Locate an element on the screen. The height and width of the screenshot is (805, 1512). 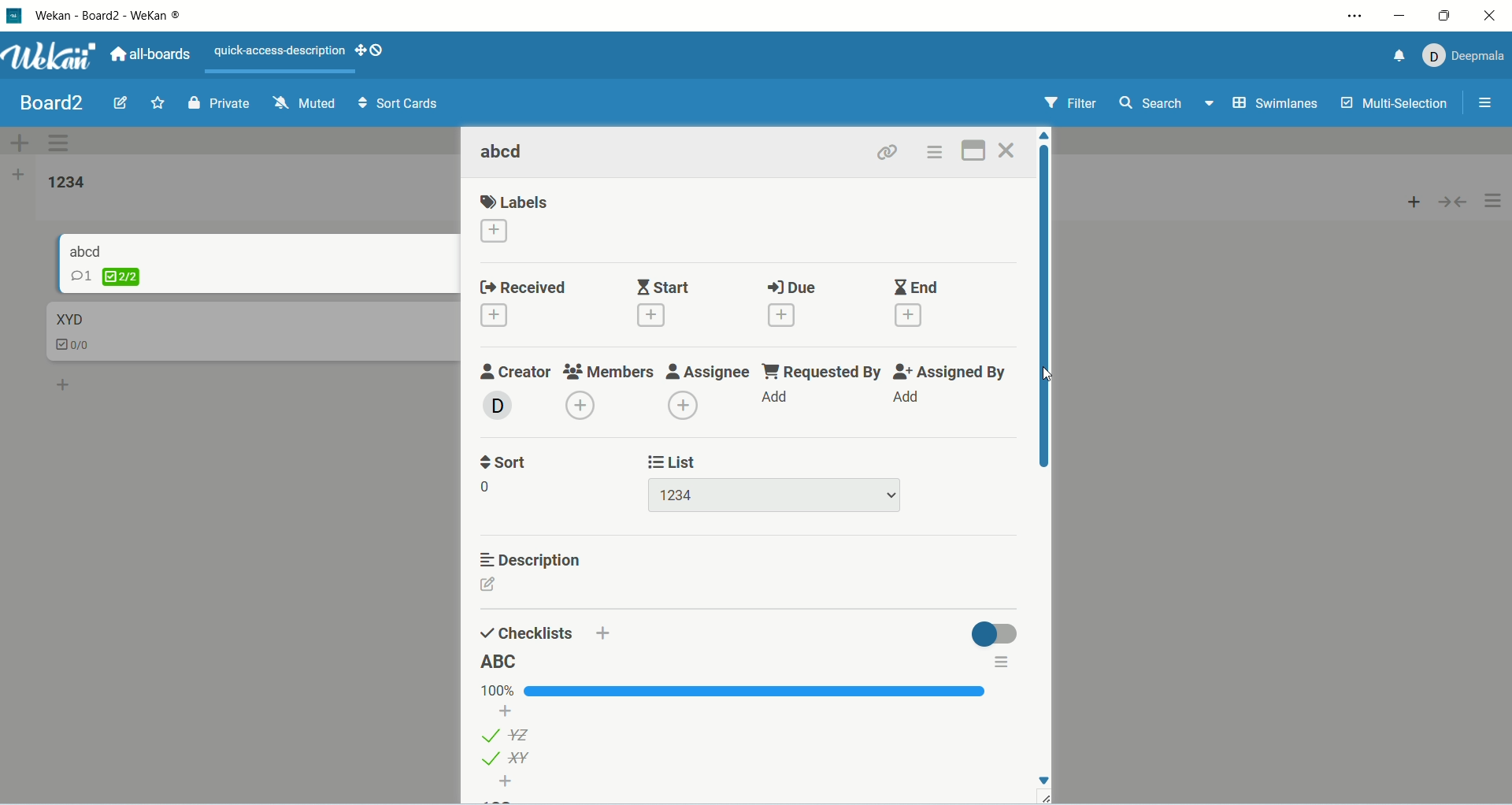
add is located at coordinates (493, 315).